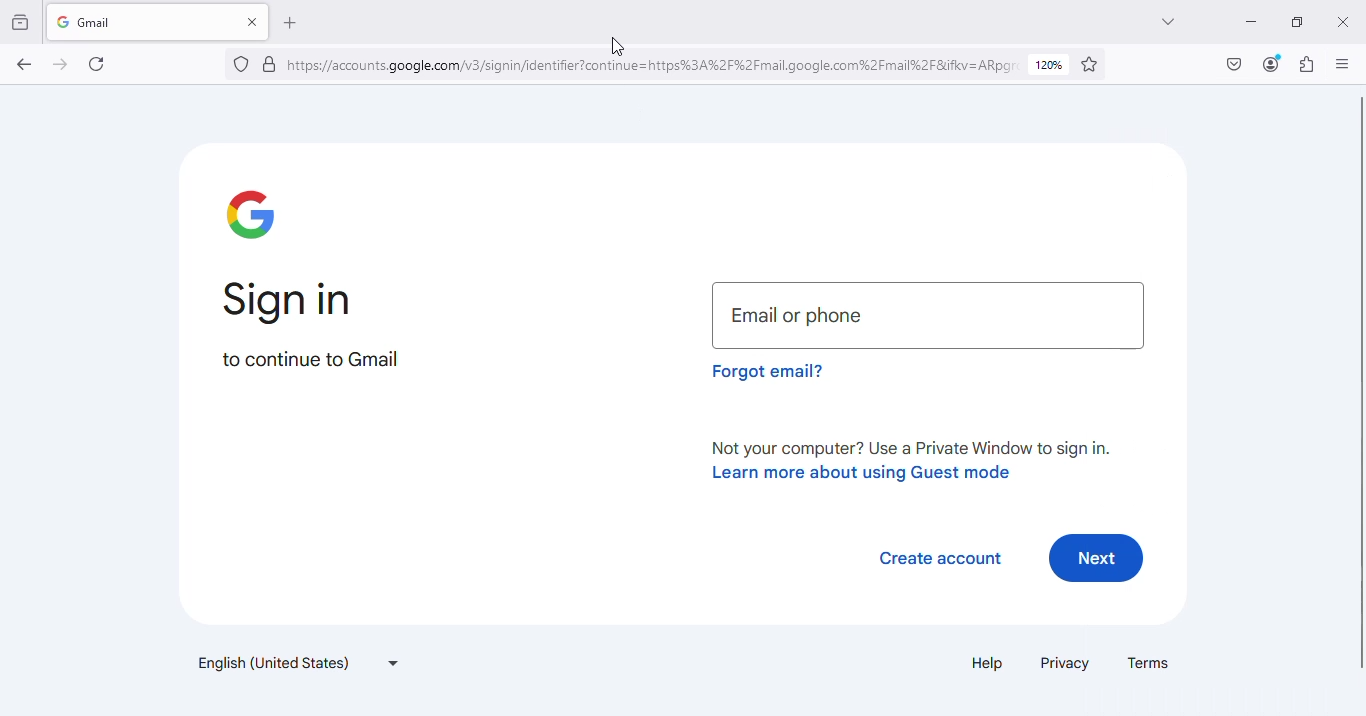  Describe the element at coordinates (1252, 23) in the screenshot. I see `minimize` at that location.